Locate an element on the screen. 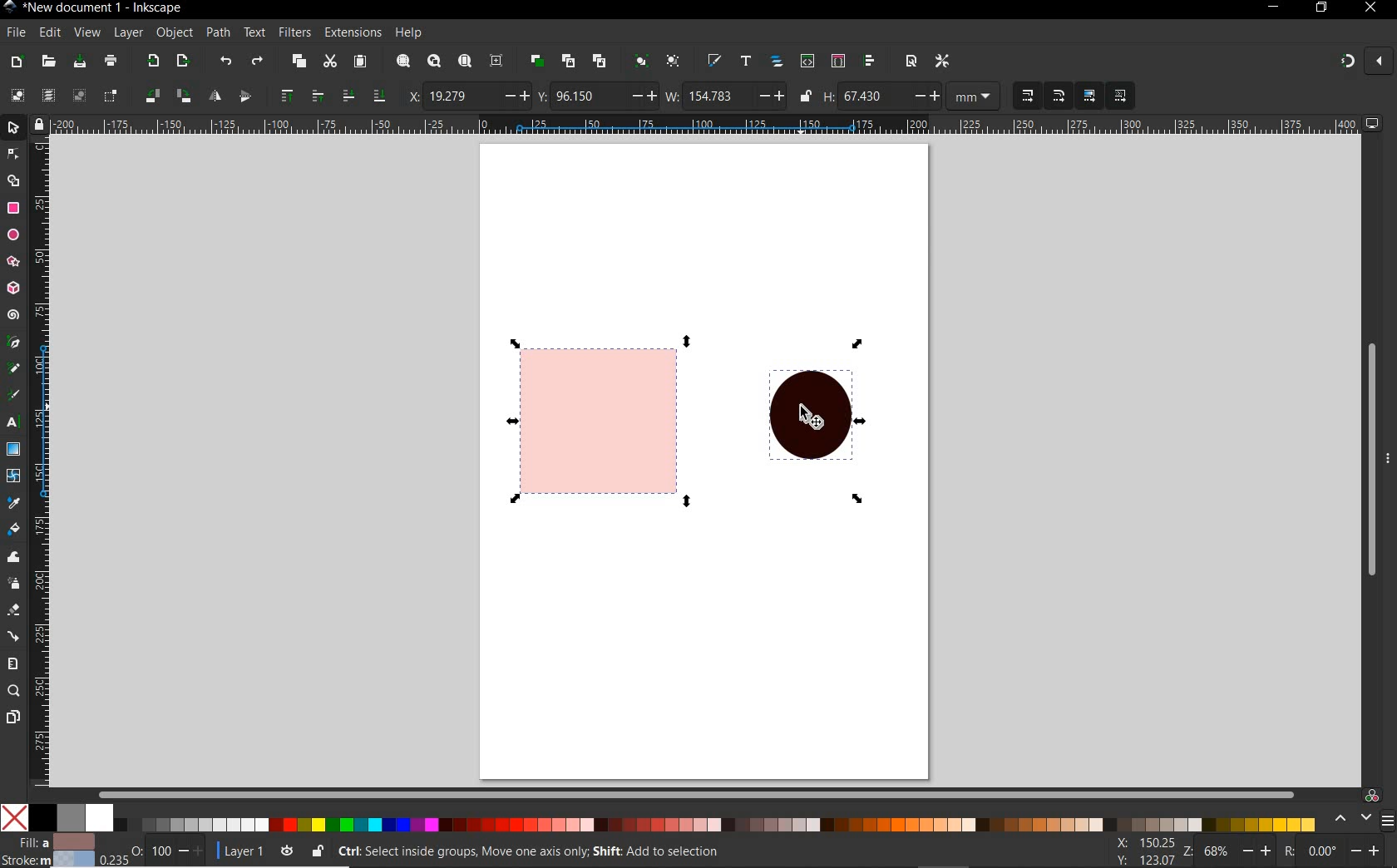 Image resolution: width=1397 pixels, height=868 pixels. Inkscape is located at coordinates (11, 8).